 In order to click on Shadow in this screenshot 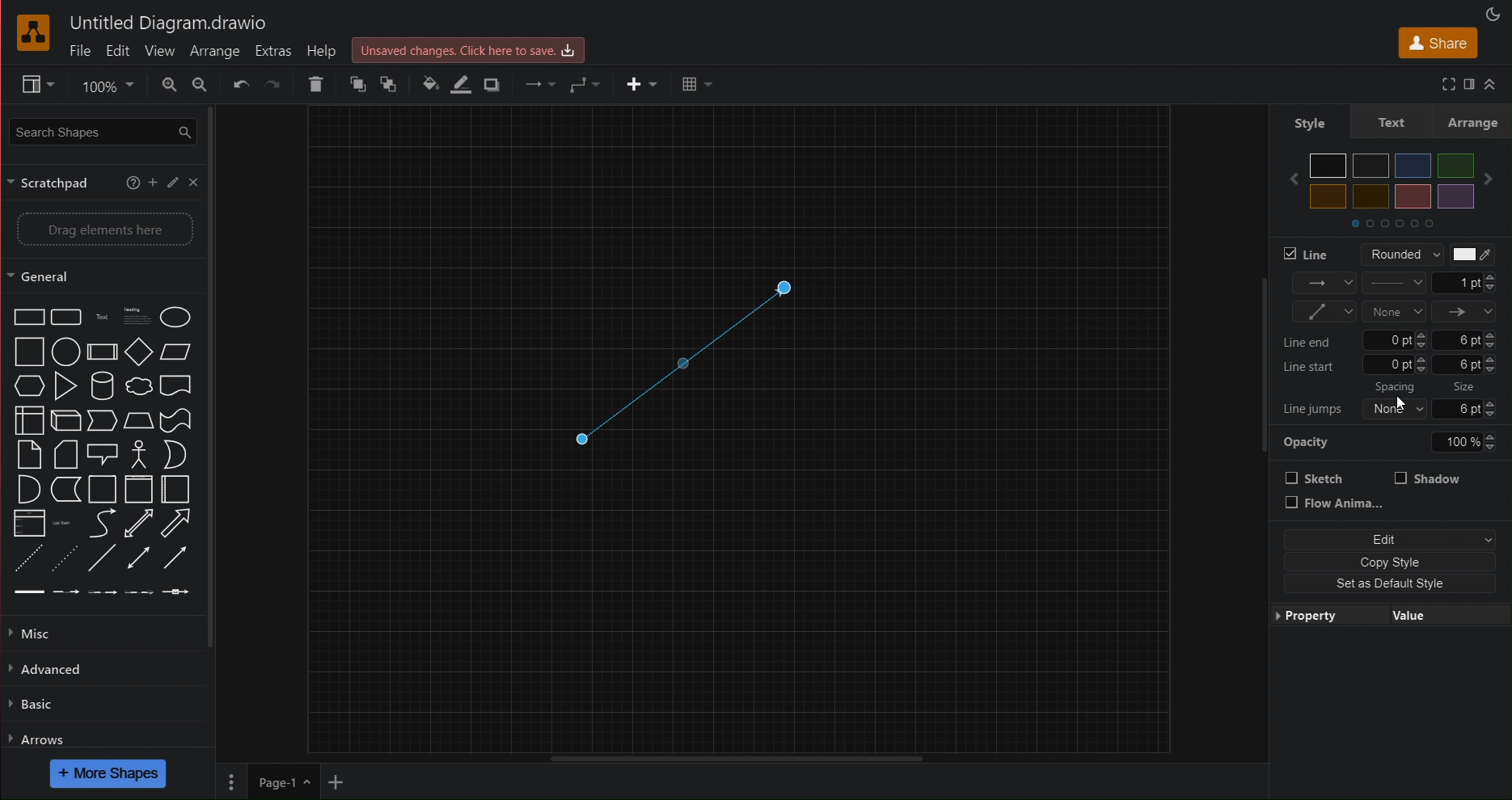, I will do `click(1428, 478)`.